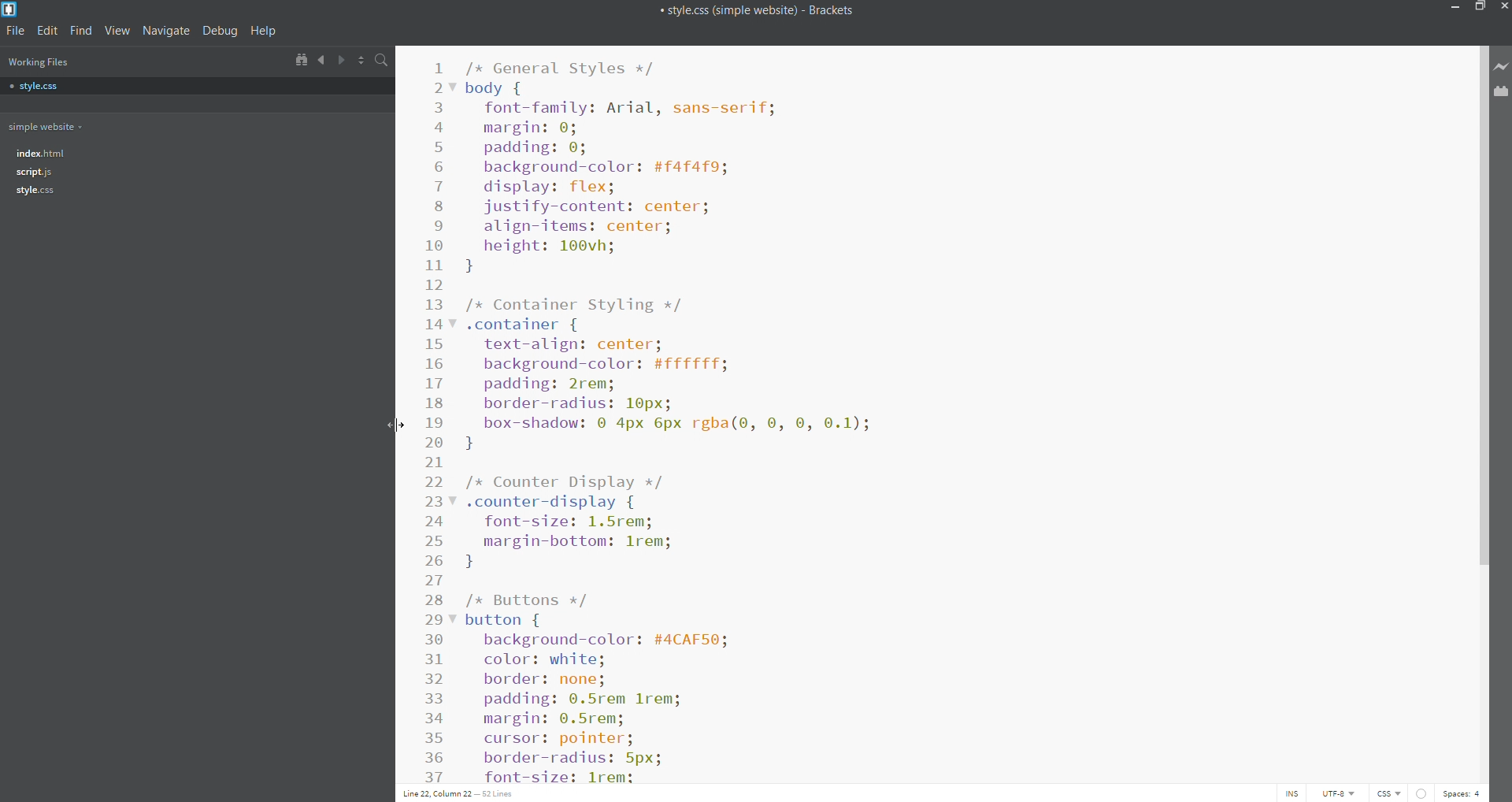 The height and width of the screenshot is (802, 1512). I want to click on title bar of brackets, so click(756, 9).